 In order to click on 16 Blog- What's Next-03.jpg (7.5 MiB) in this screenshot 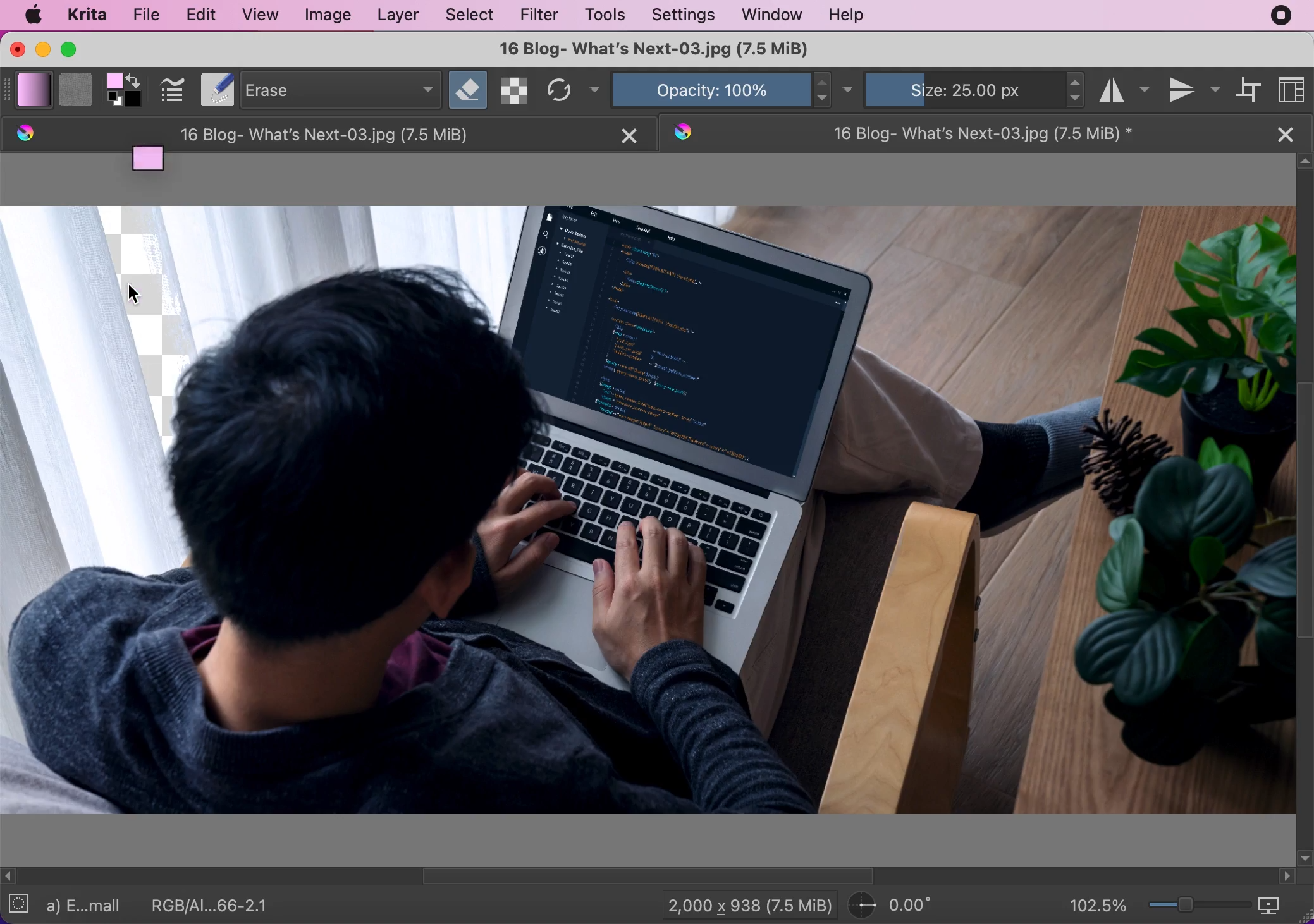, I will do `click(961, 133)`.